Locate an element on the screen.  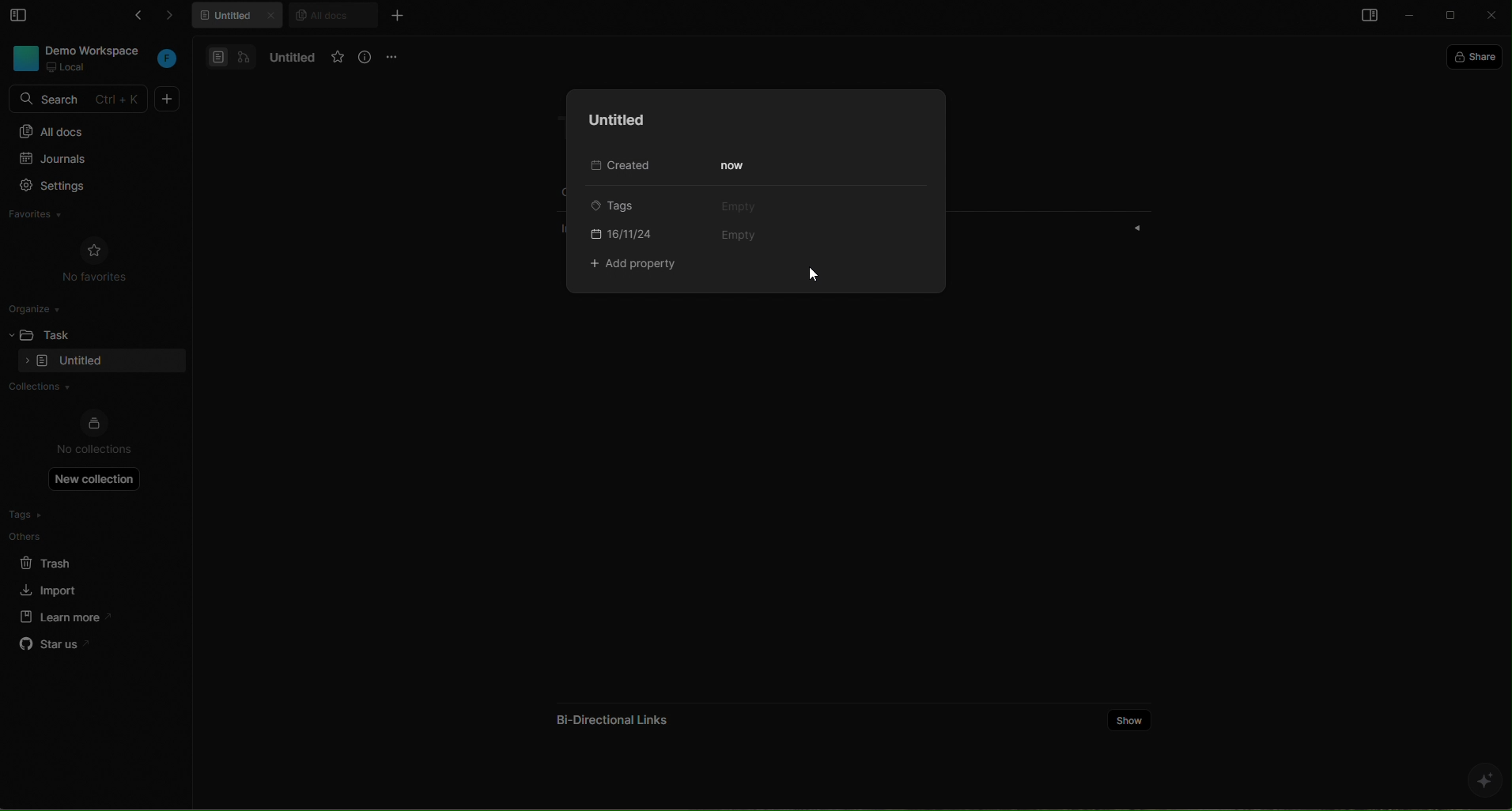
import is located at coordinates (51, 588).